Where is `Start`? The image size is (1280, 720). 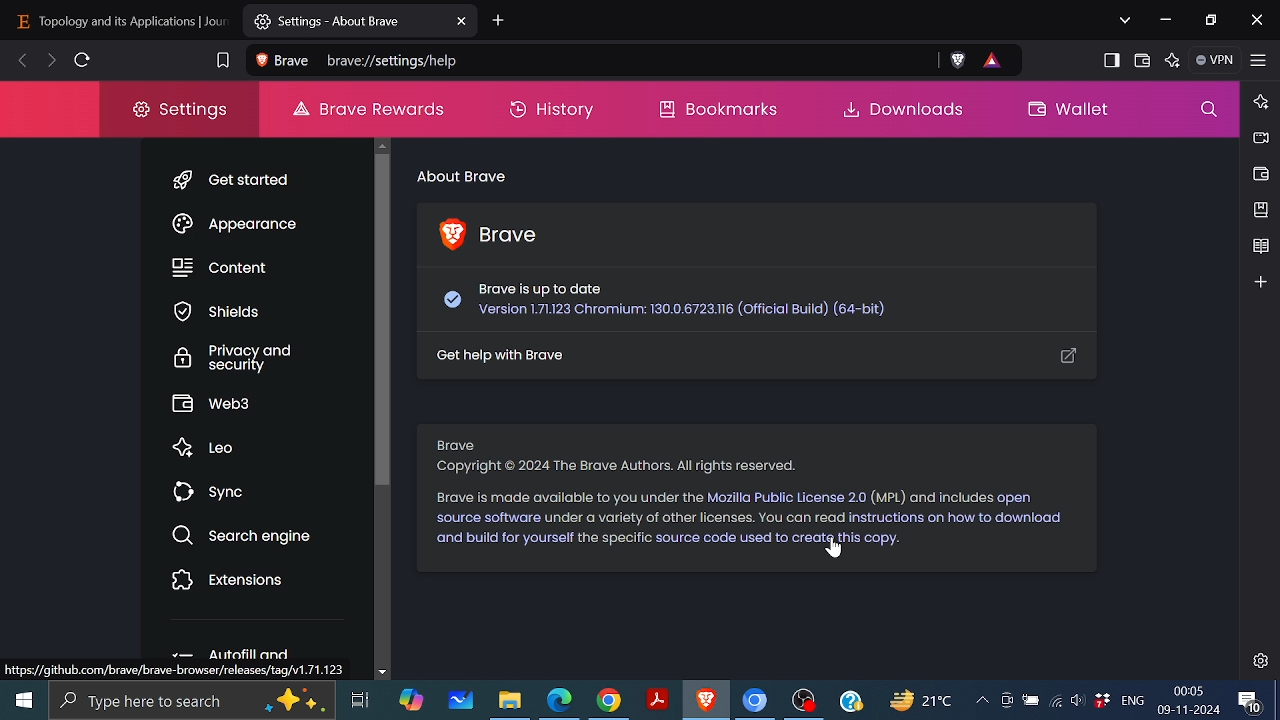
Start is located at coordinates (26, 698).